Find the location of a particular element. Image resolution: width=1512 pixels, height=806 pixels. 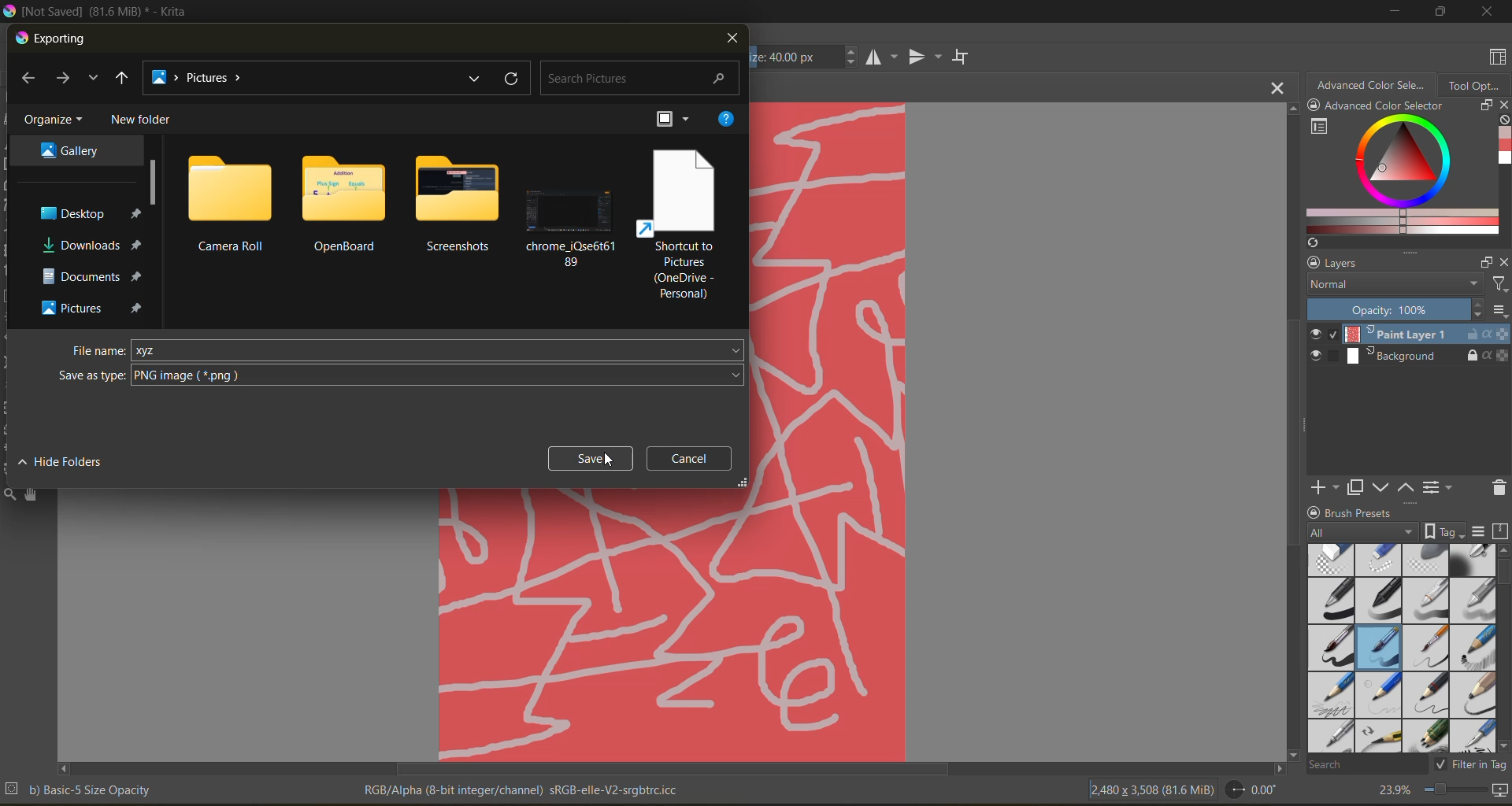

float docker is located at coordinates (1486, 263).